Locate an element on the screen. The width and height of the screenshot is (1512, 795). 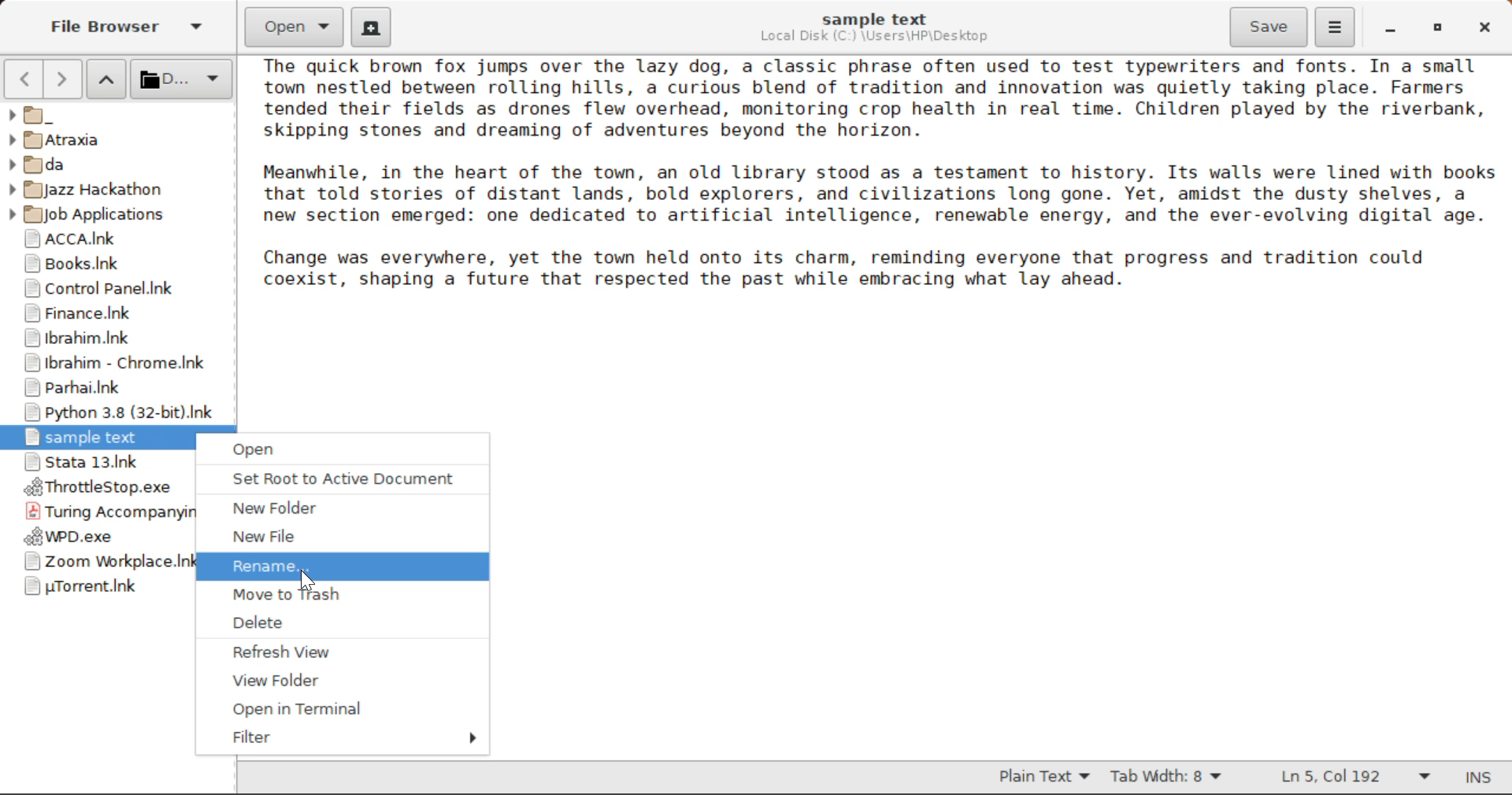
Parhai Folder Shortcut Link is located at coordinates (113, 389).